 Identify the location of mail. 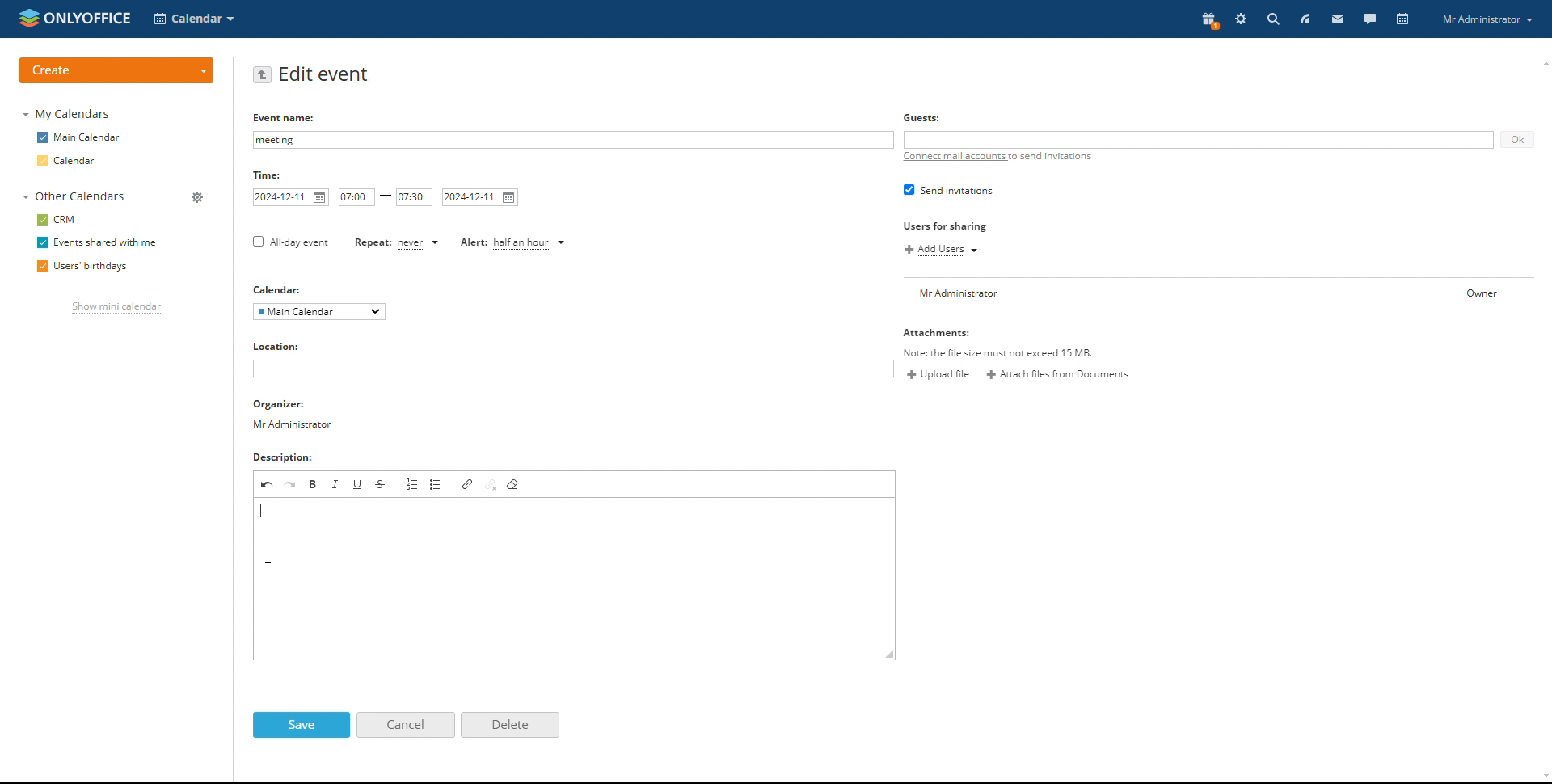
(1339, 18).